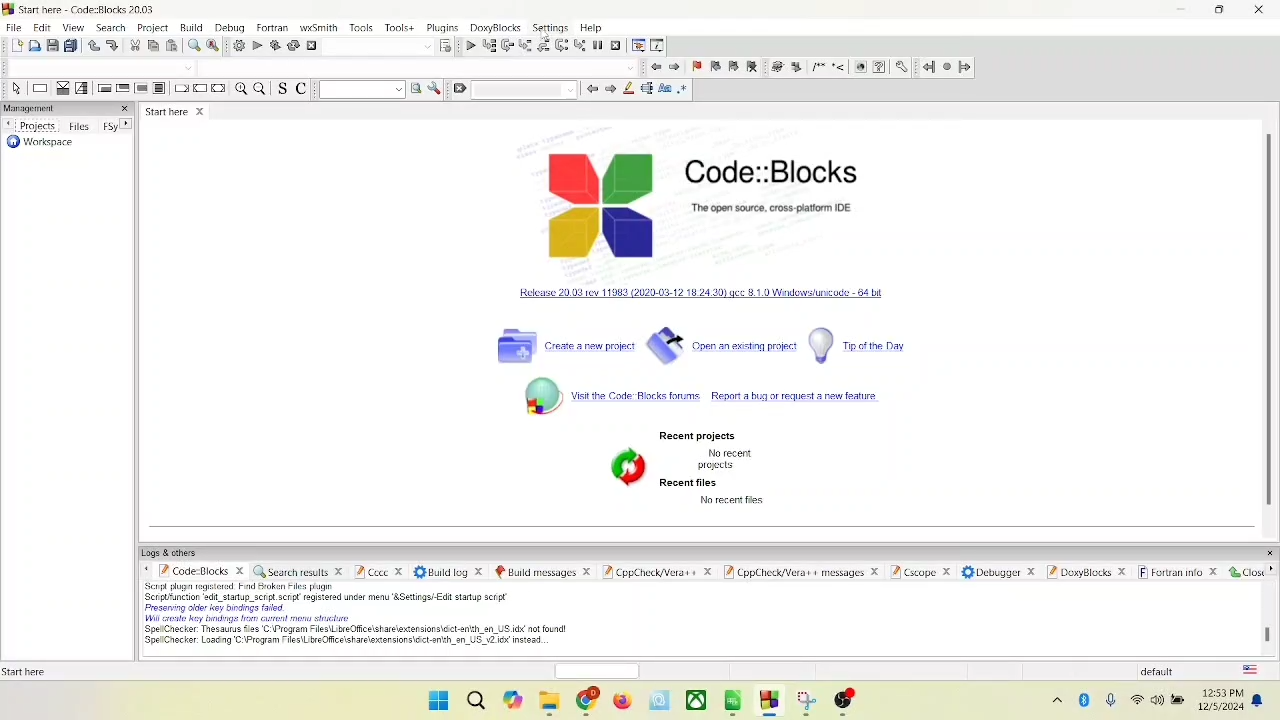  What do you see at coordinates (294, 46) in the screenshot?
I see `rebuild` at bounding box center [294, 46].